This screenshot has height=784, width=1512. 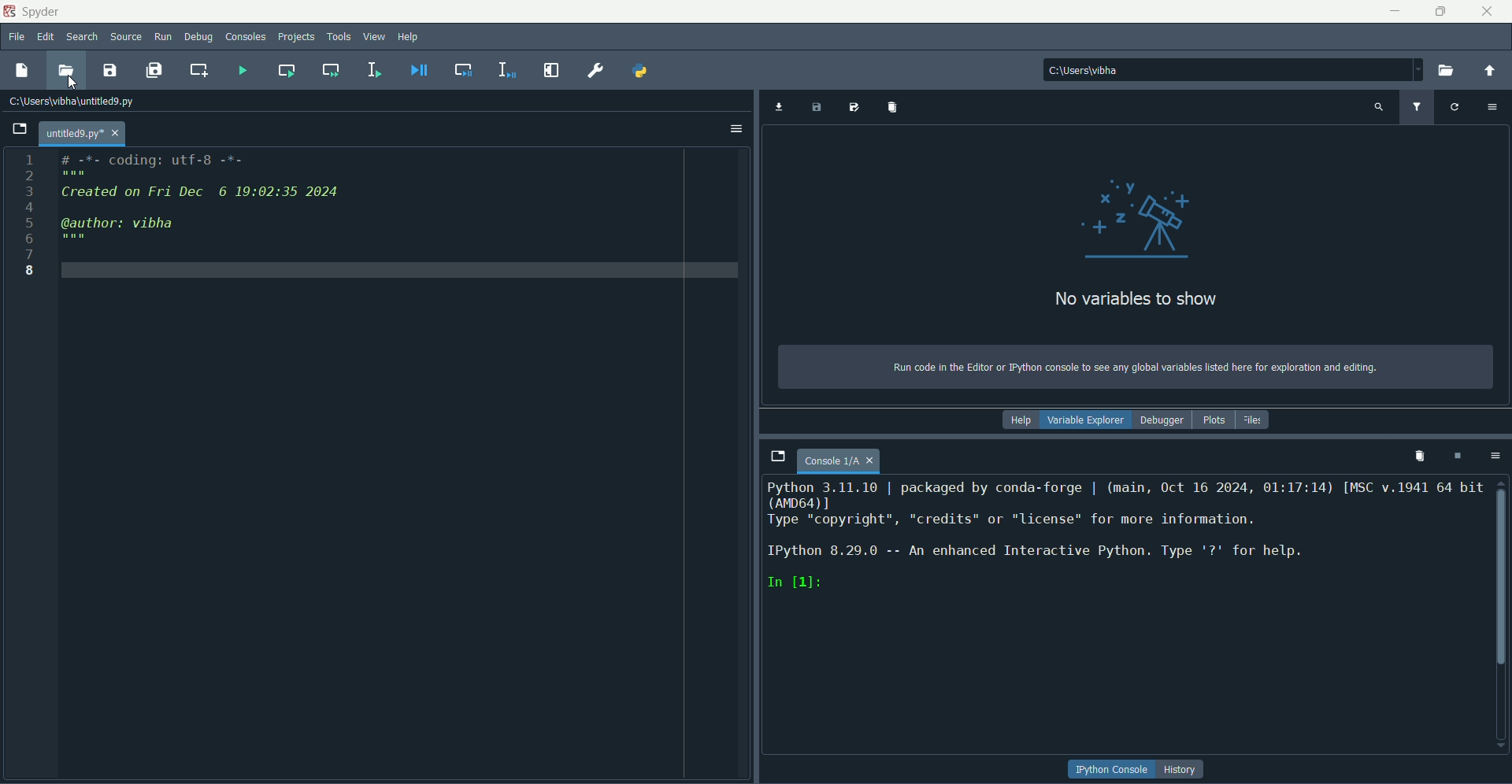 I want to click on import data, so click(x=780, y=108).